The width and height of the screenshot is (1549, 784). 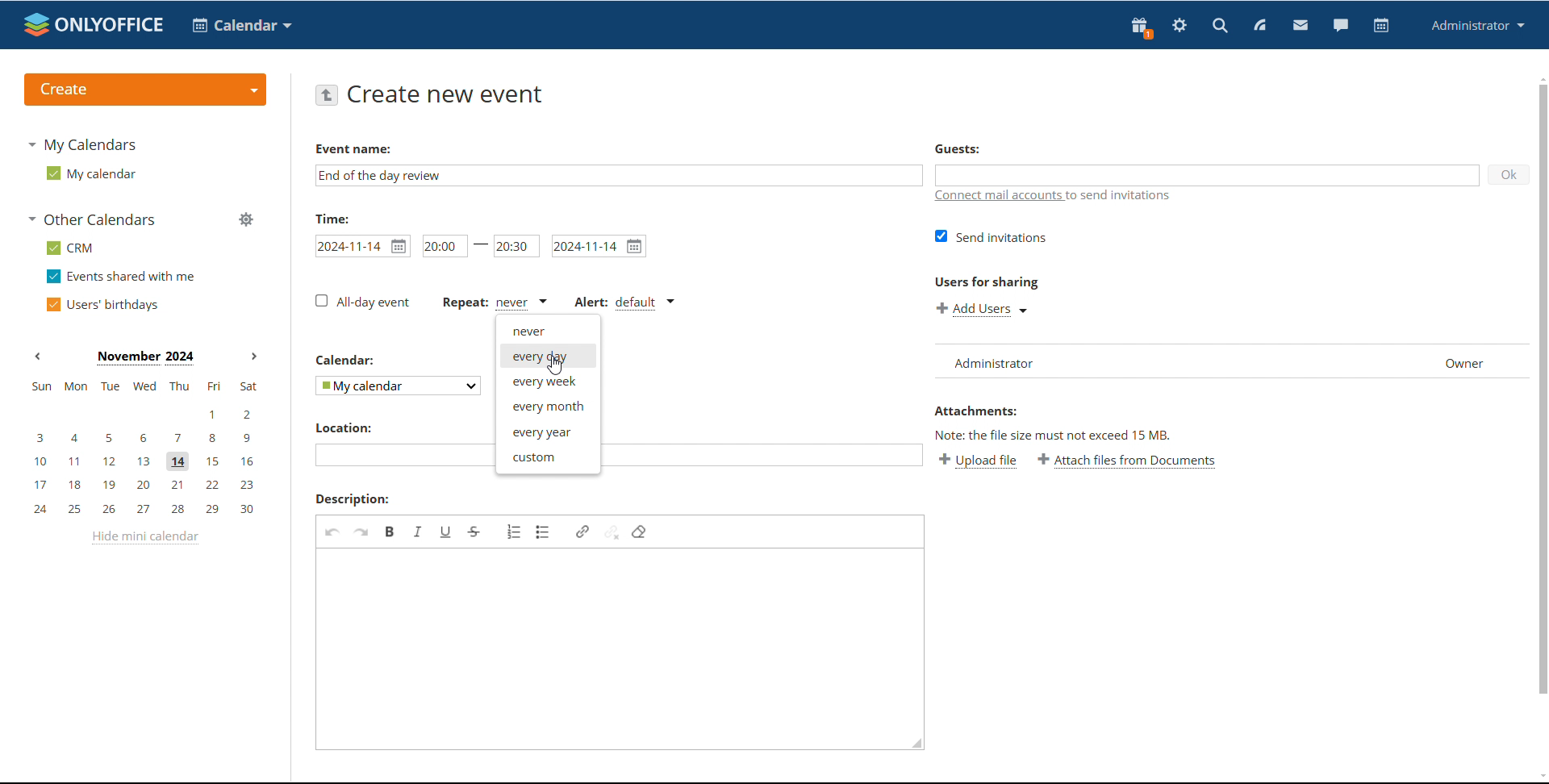 I want to click on Month on display, so click(x=145, y=358).